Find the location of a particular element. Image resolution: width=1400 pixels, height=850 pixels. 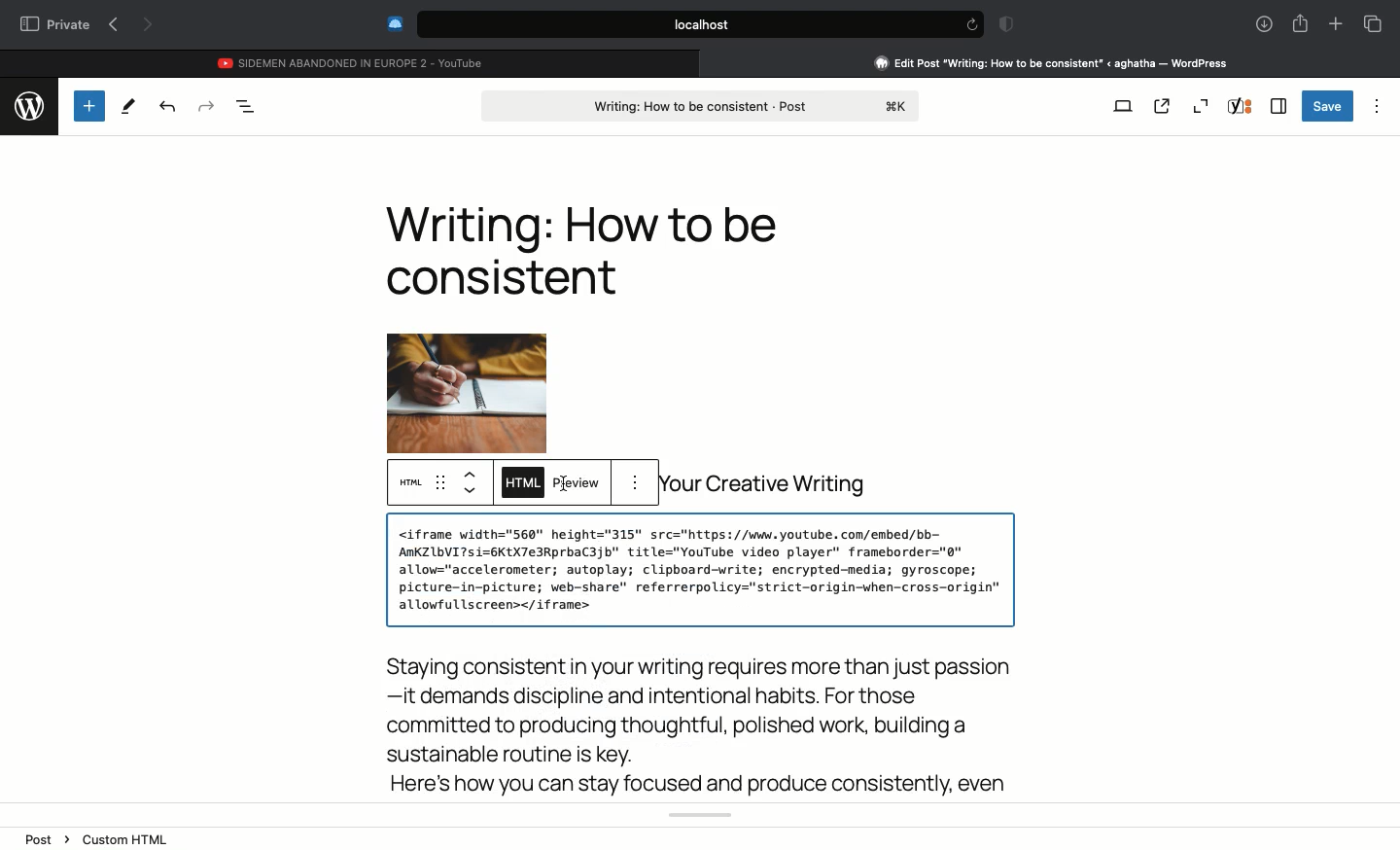

wordpress is located at coordinates (28, 103).